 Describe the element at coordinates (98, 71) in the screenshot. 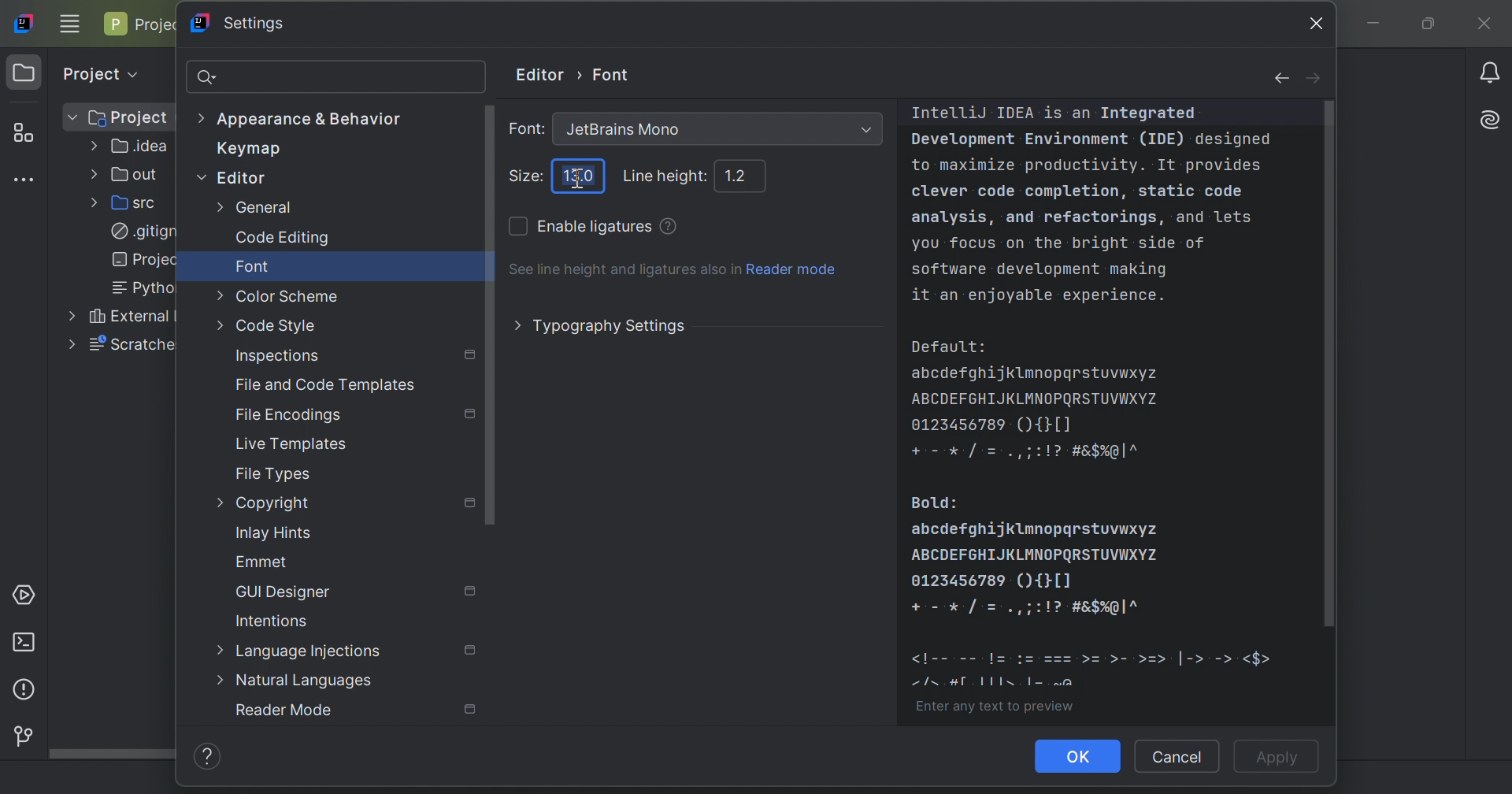

I see `Project` at that location.